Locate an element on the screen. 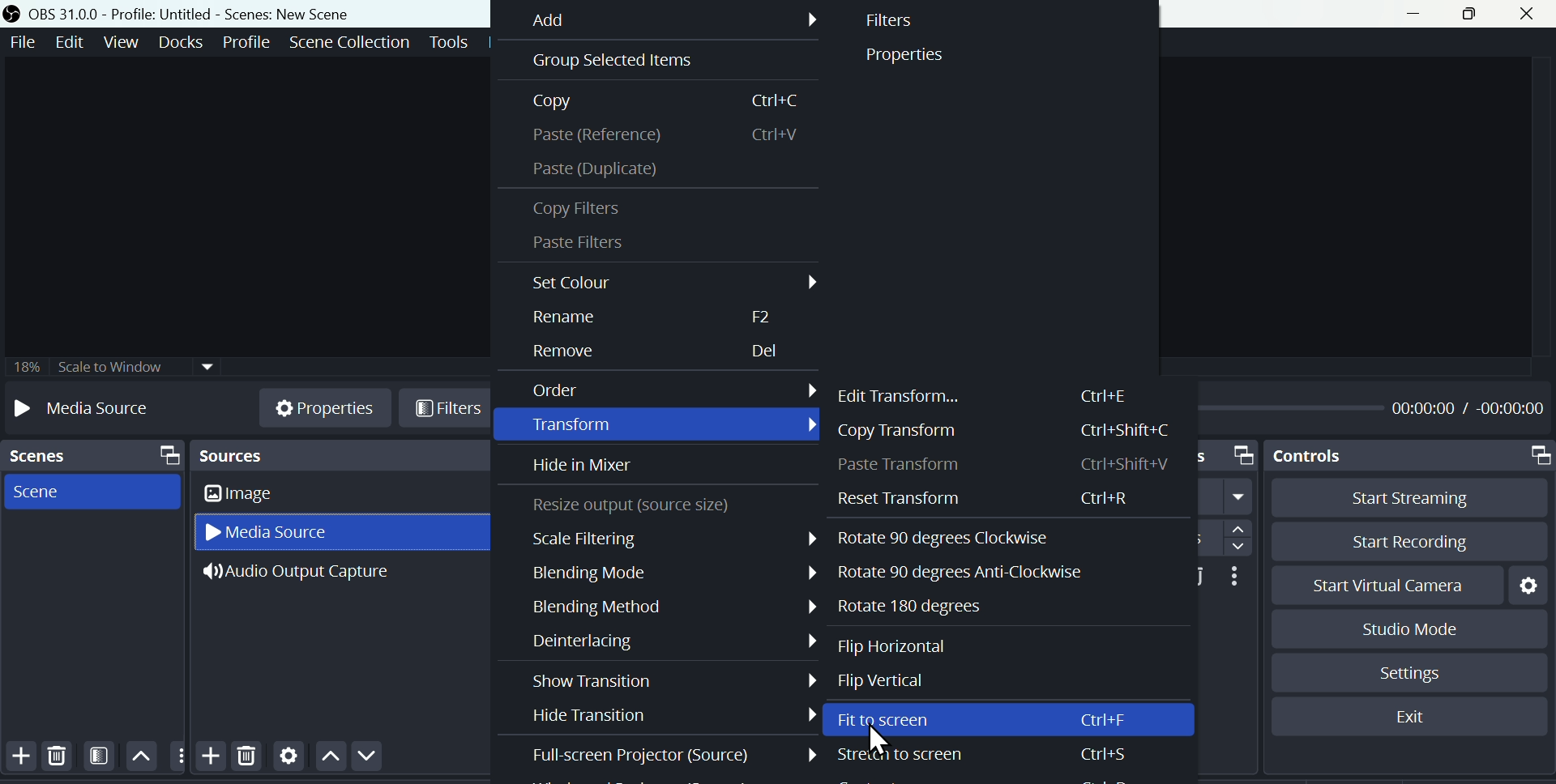 This screenshot has width=1556, height=784. Scale filtering is located at coordinates (673, 538).